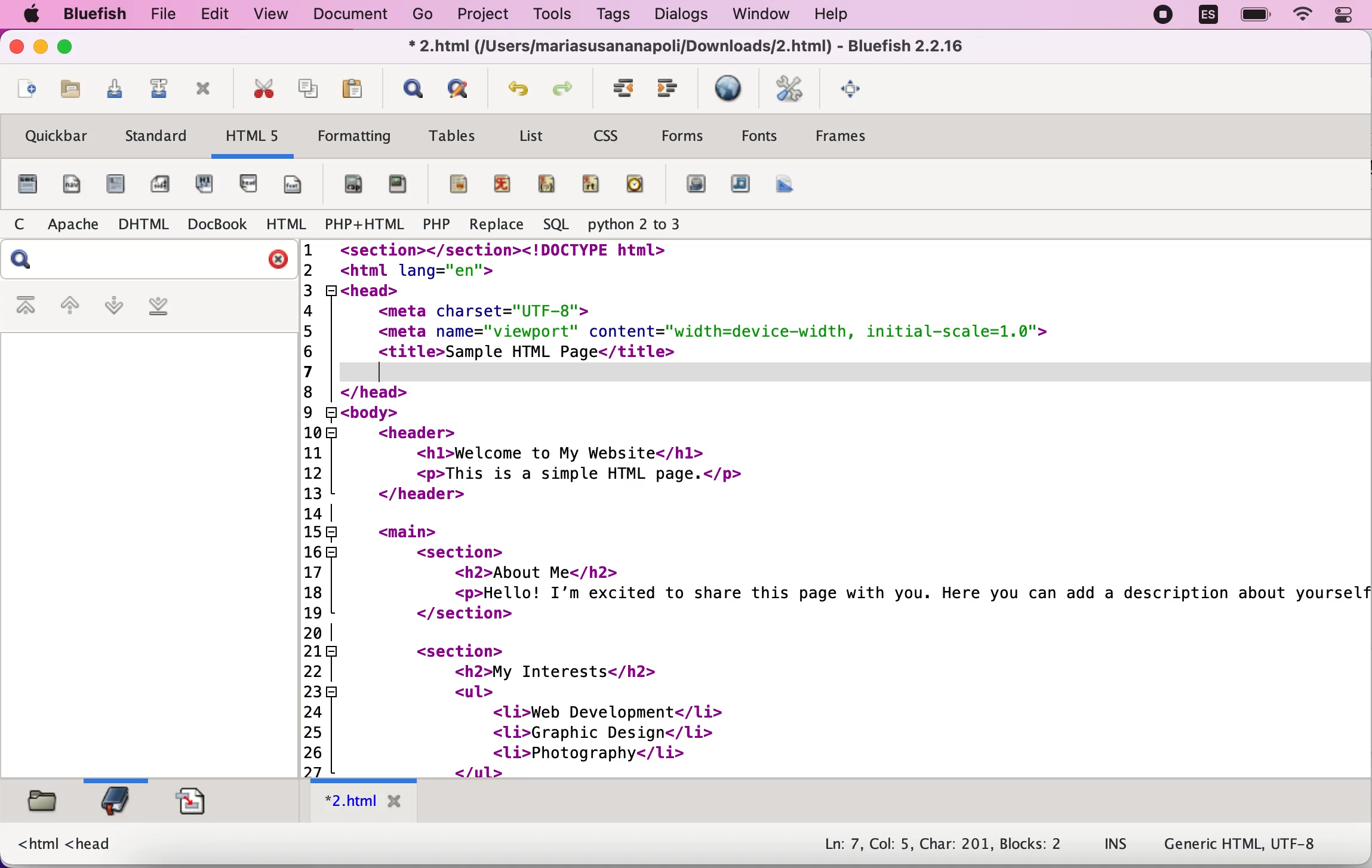 The image size is (1372, 868). What do you see at coordinates (611, 134) in the screenshot?
I see `css` at bounding box center [611, 134].